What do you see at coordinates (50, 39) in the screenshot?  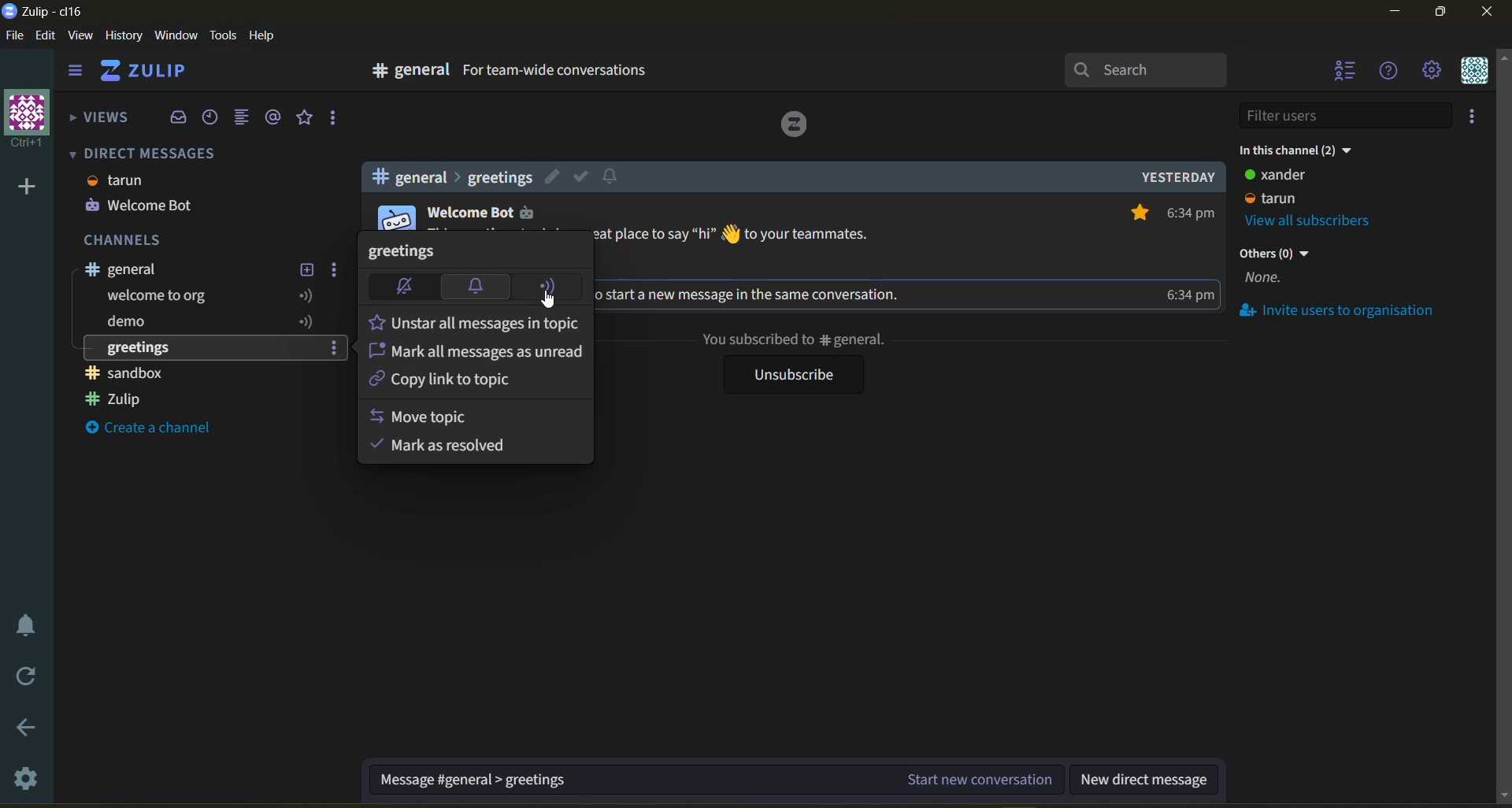 I see `edit` at bounding box center [50, 39].